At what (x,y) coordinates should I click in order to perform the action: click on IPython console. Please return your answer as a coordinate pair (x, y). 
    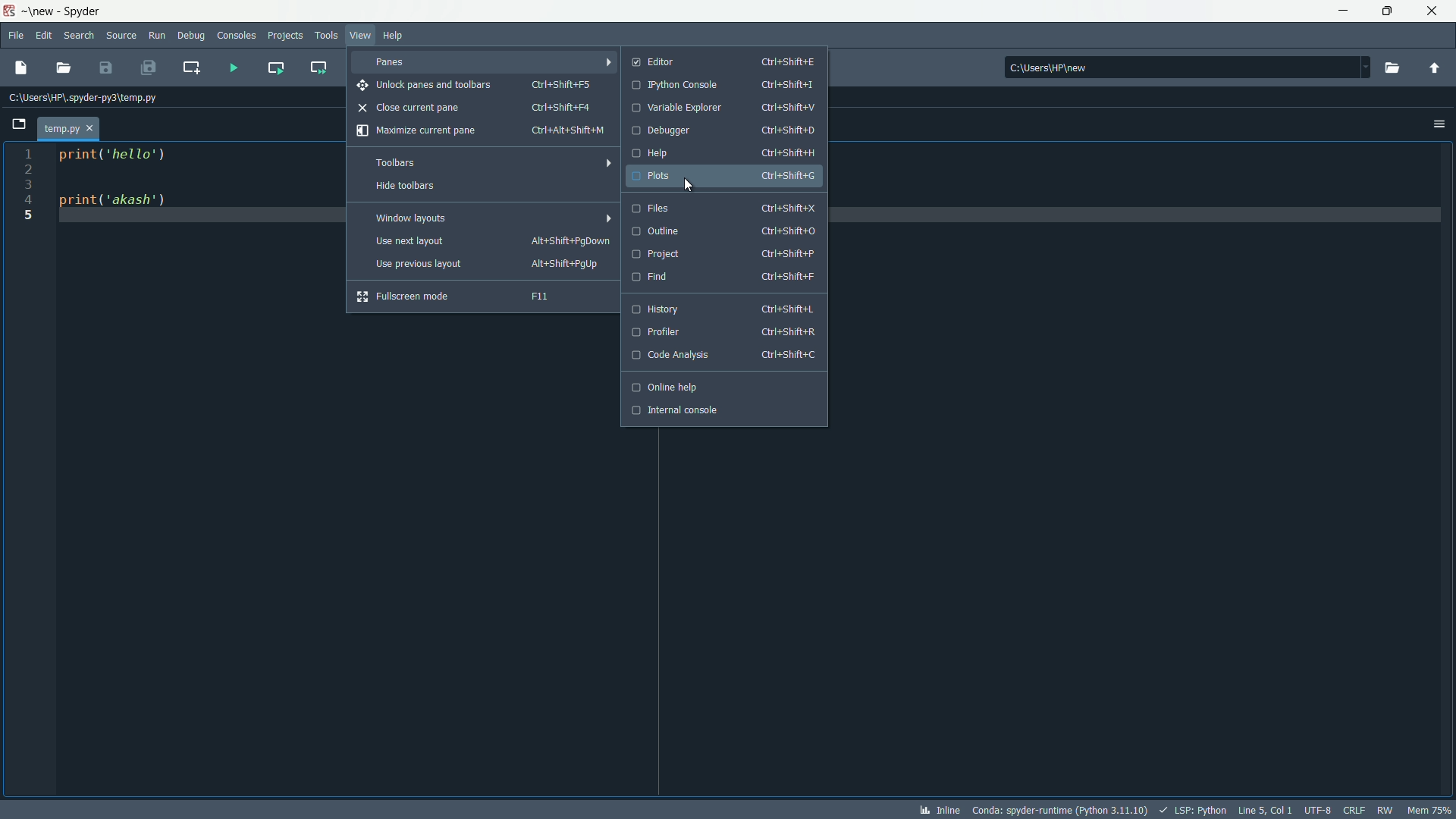
    Looking at the image, I should click on (724, 86).